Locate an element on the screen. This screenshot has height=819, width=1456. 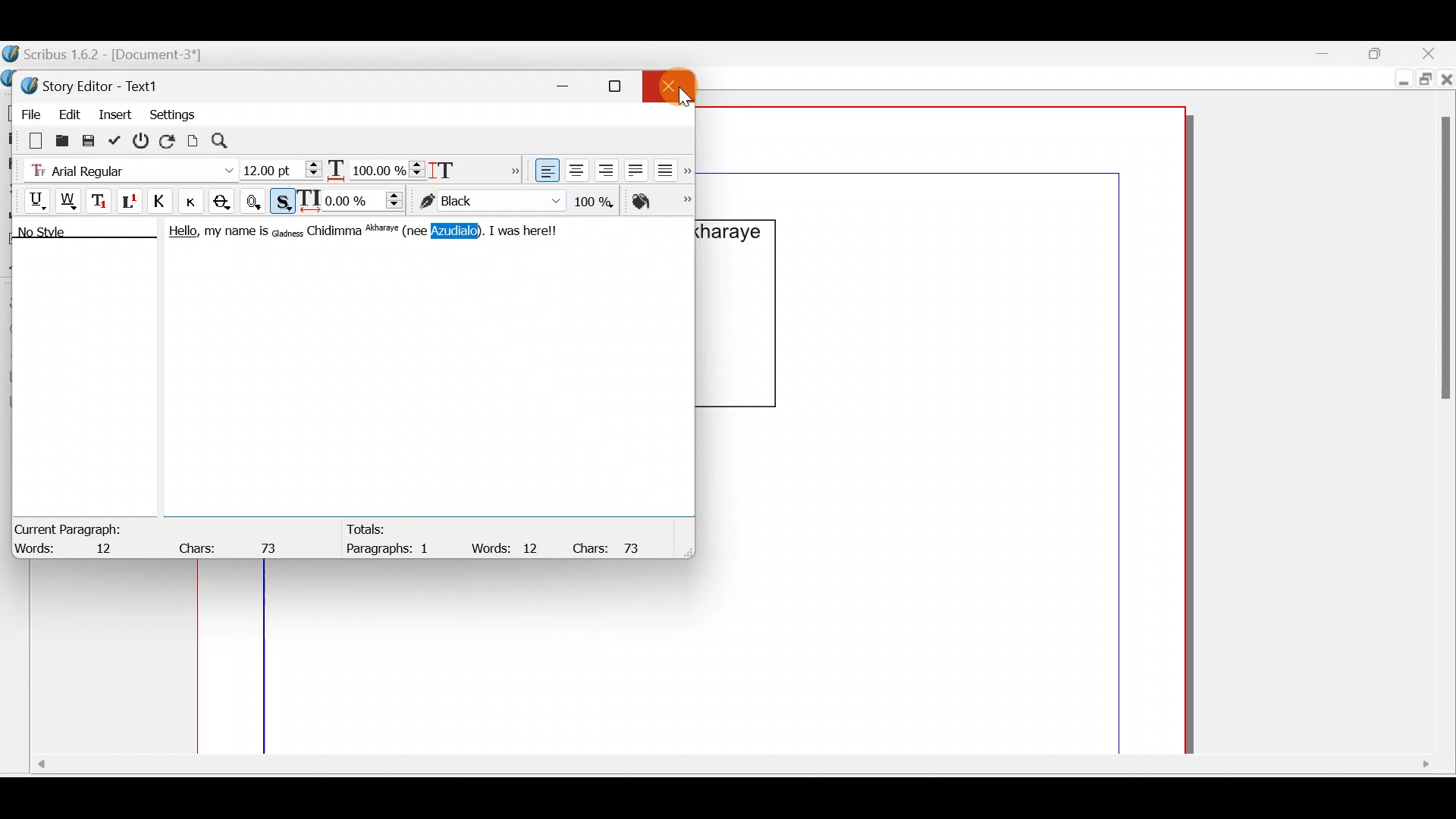
Scribus 1.6.2 - [Document-3*] is located at coordinates (120, 55).